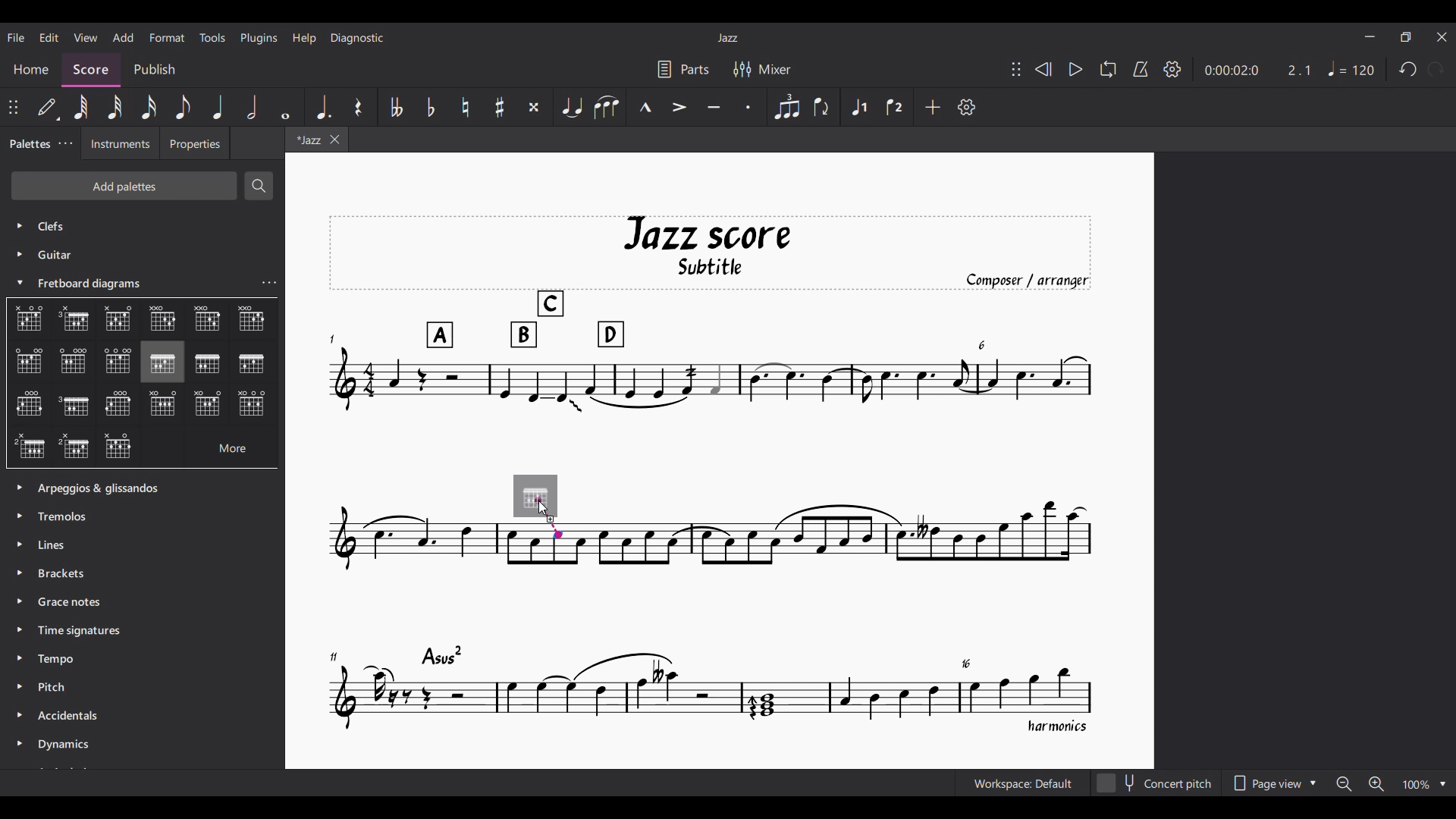  Describe the element at coordinates (1407, 70) in the screenshot. I see `Undo` at that location.